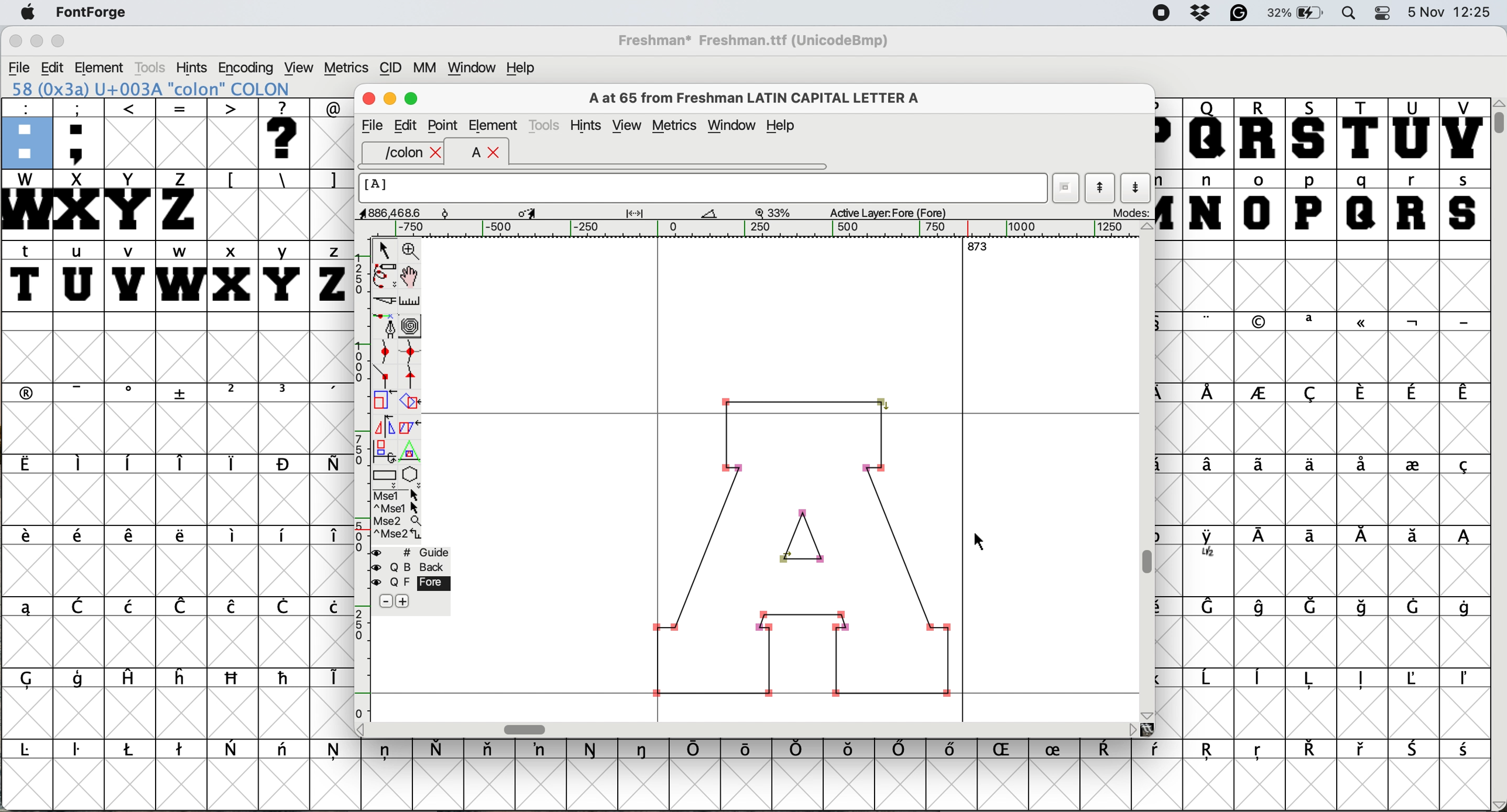 The width and height of the screenshot is (1507, 812). What do you see at coordinates (851, 751) in the screenshot?
I see `symbol` at bounding box center [851, 751].